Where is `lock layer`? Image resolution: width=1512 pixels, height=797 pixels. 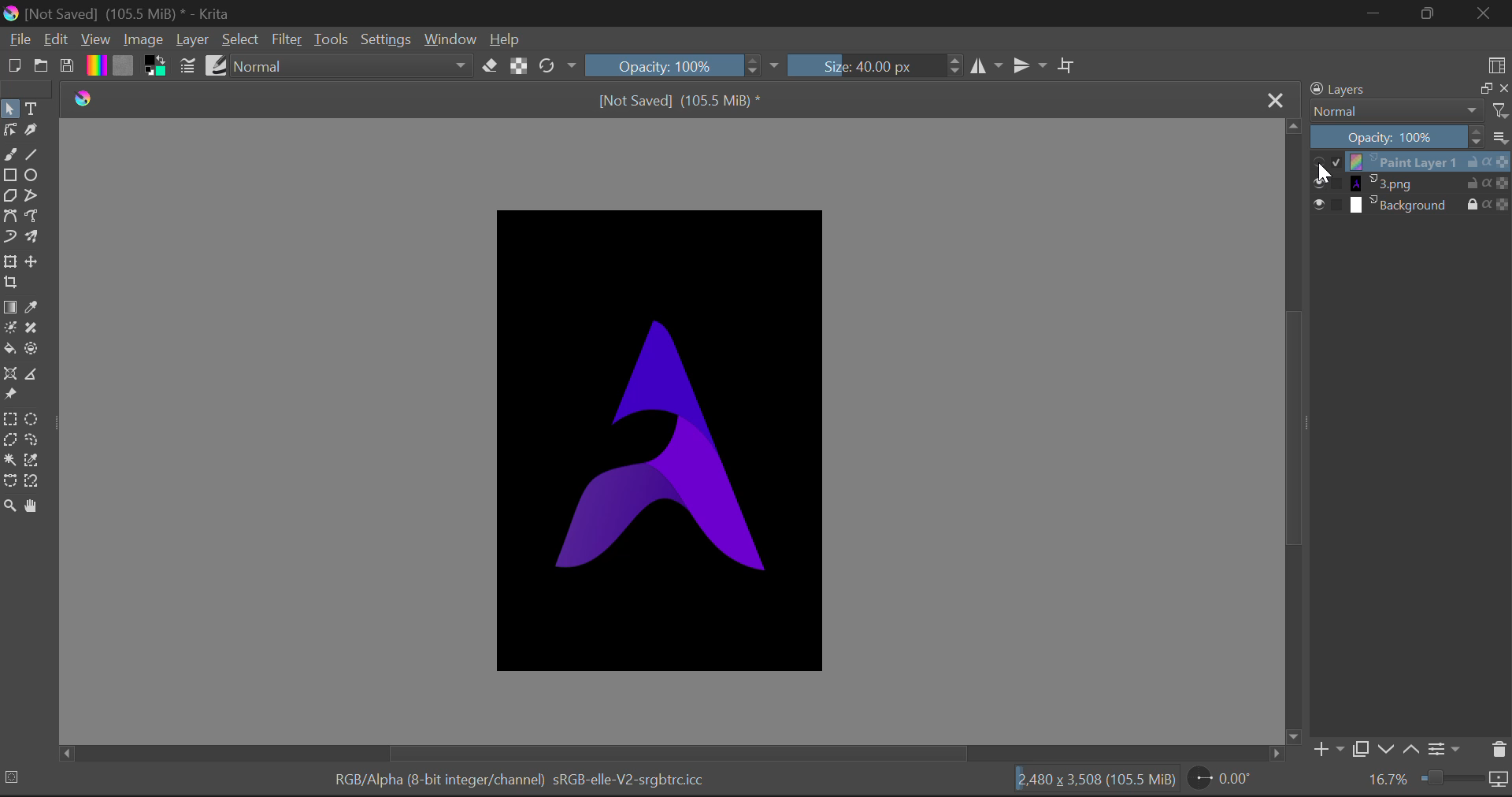
lock layer is located at coordinates (1477, 202).